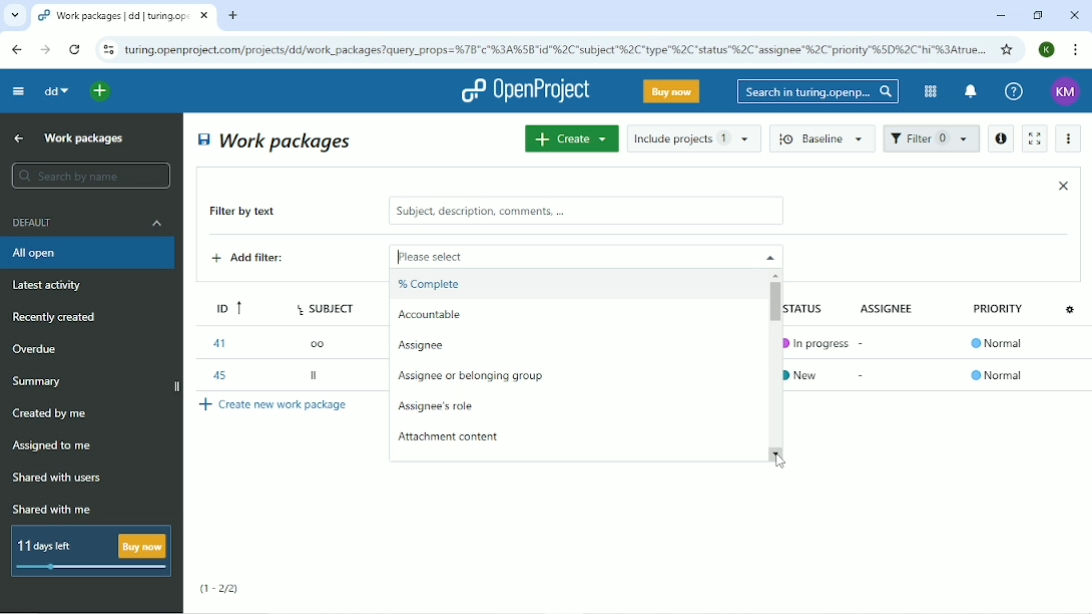 The width and height of the screenshot is (1092, 614). Describe the element at coordinates (1077, 50) in the screenshot. I see `Customize and control google chrome` at that location.